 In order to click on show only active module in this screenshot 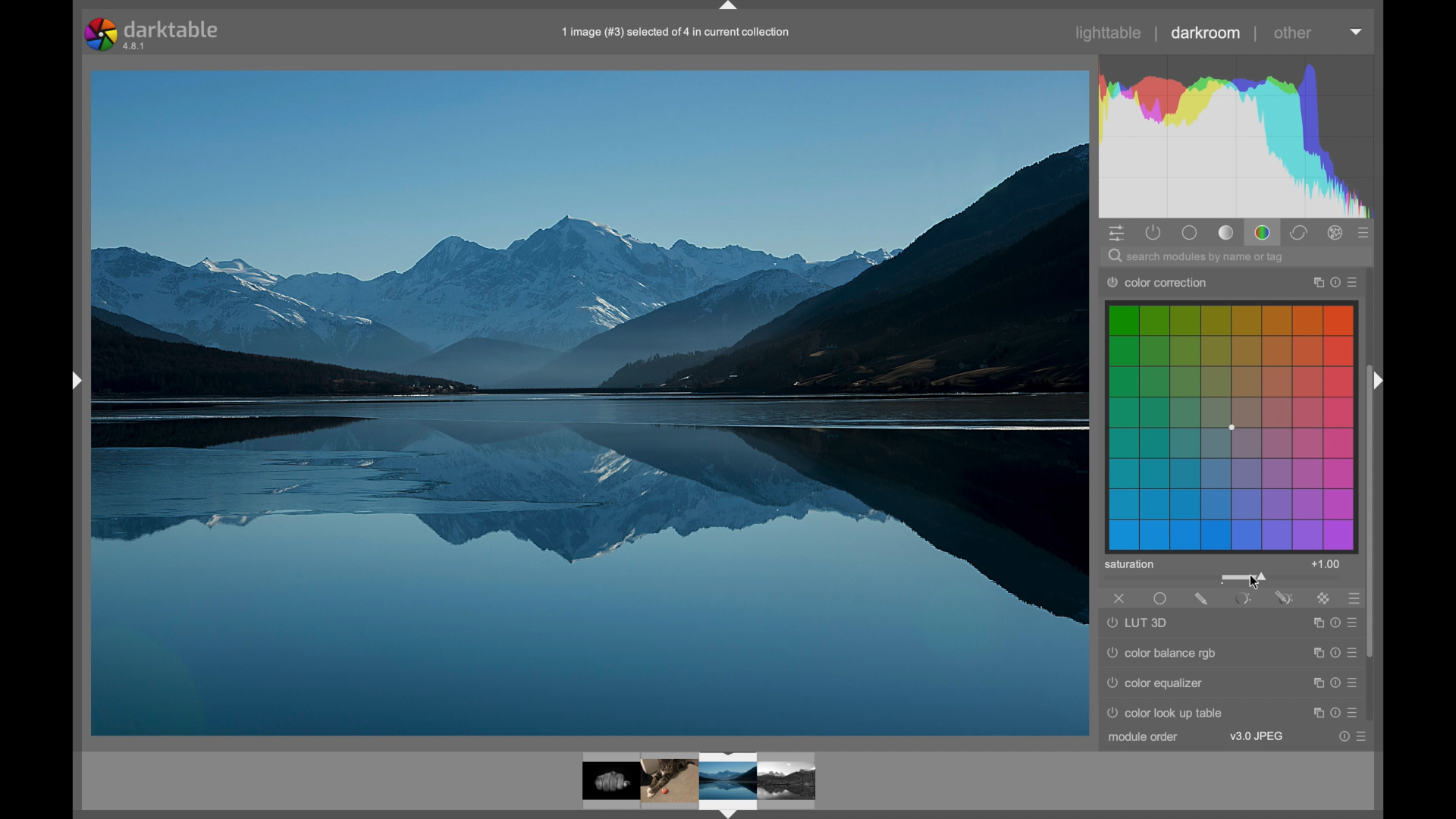, I will do `click(1155, 233)`.